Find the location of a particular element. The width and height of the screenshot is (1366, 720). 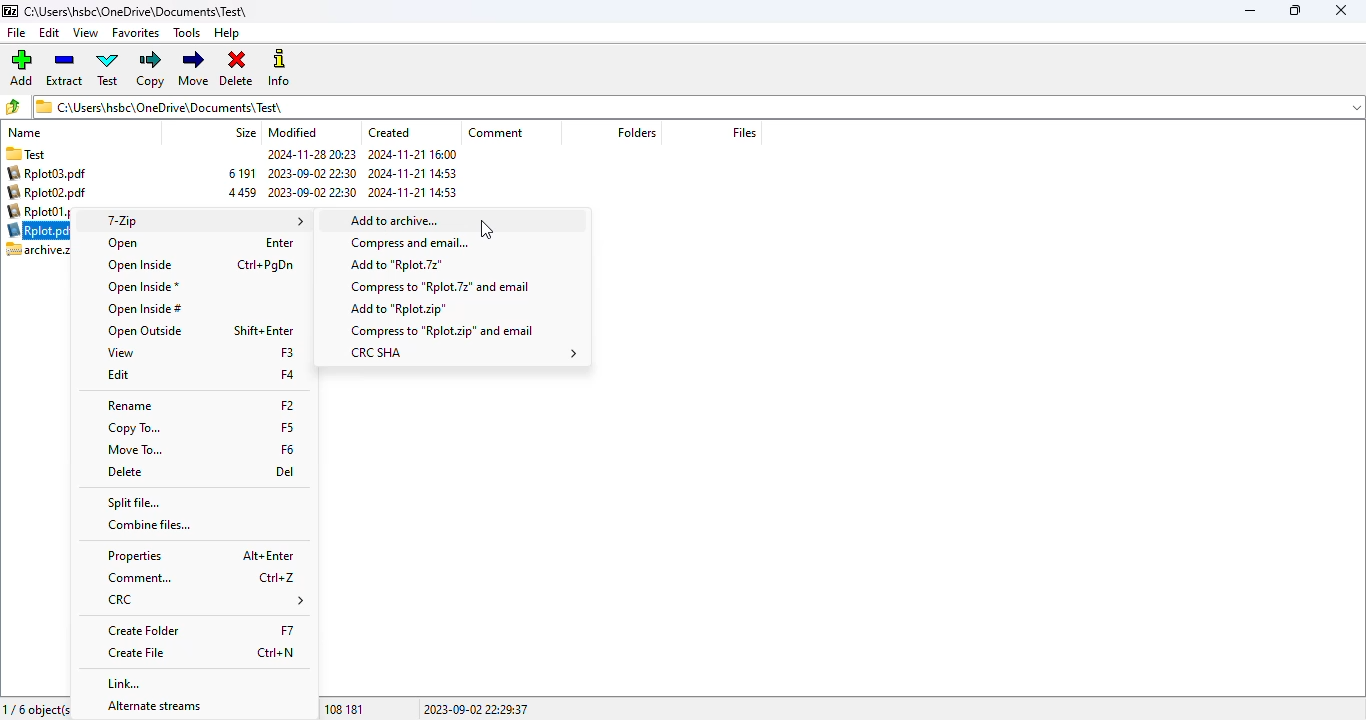

add to .zip file is located at coordinates (400, 310).